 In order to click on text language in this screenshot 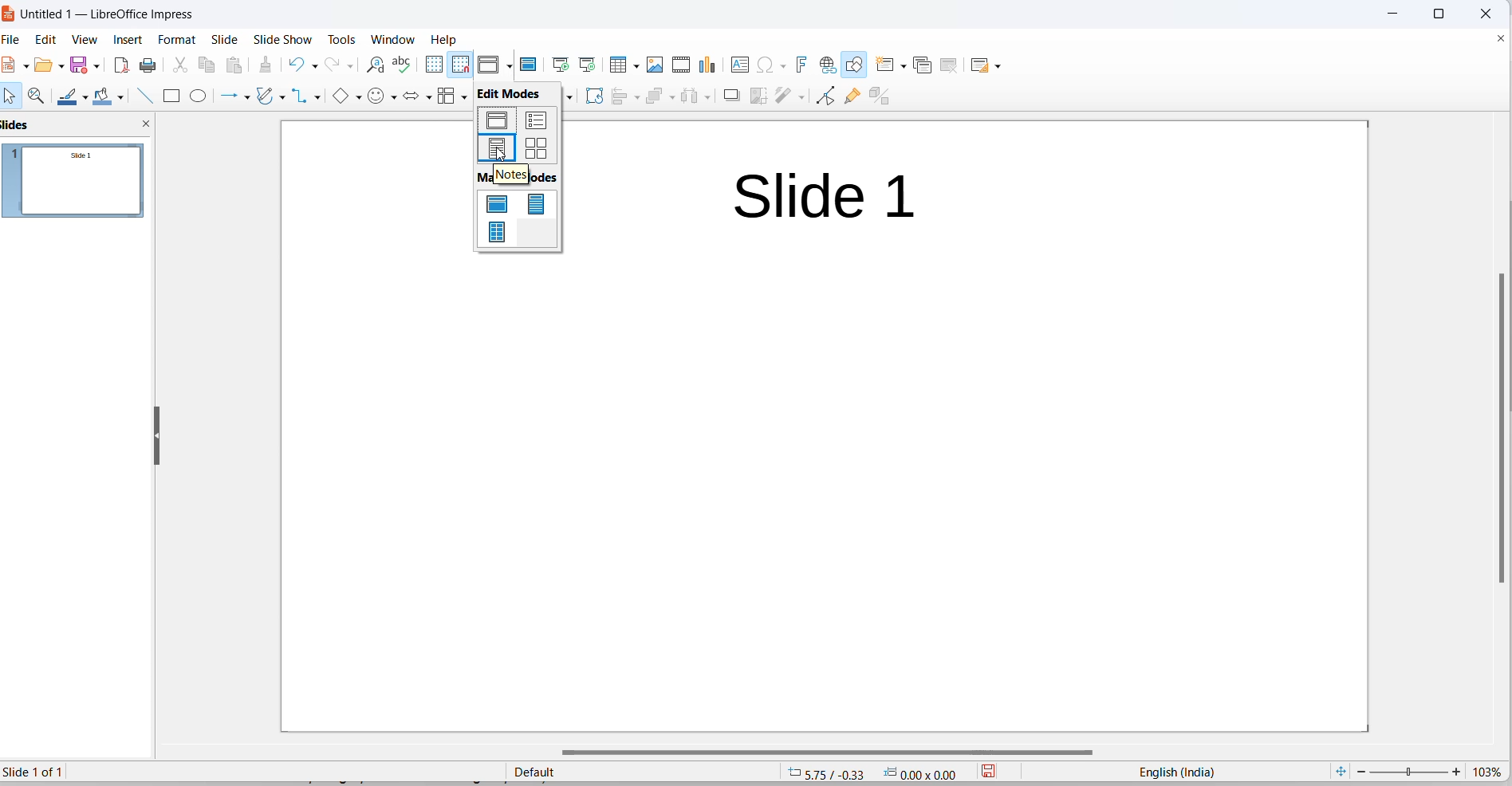, I will do `click(1177, 772)`.